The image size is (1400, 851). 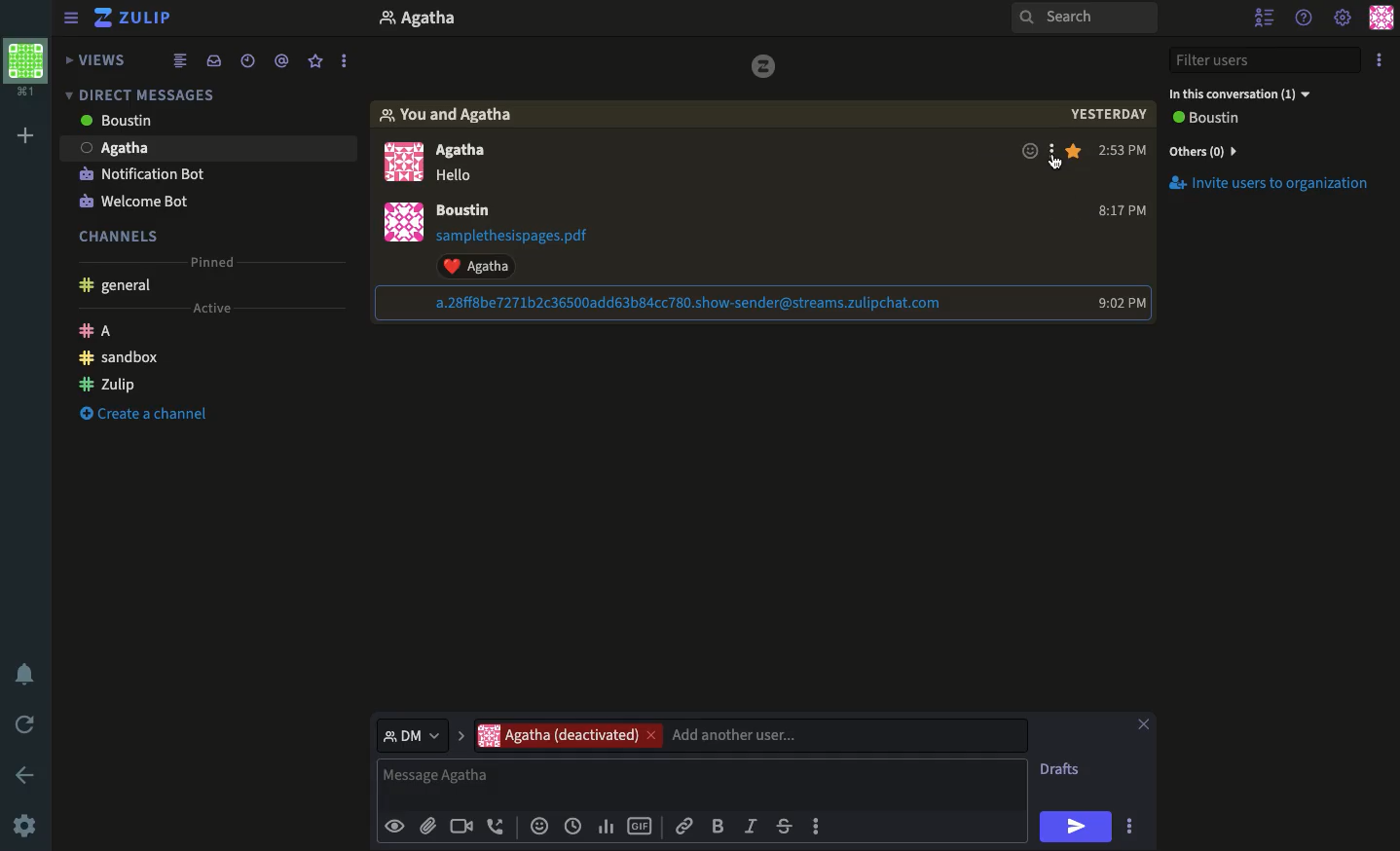 I want to click on Message, so click(x=705, y=784).